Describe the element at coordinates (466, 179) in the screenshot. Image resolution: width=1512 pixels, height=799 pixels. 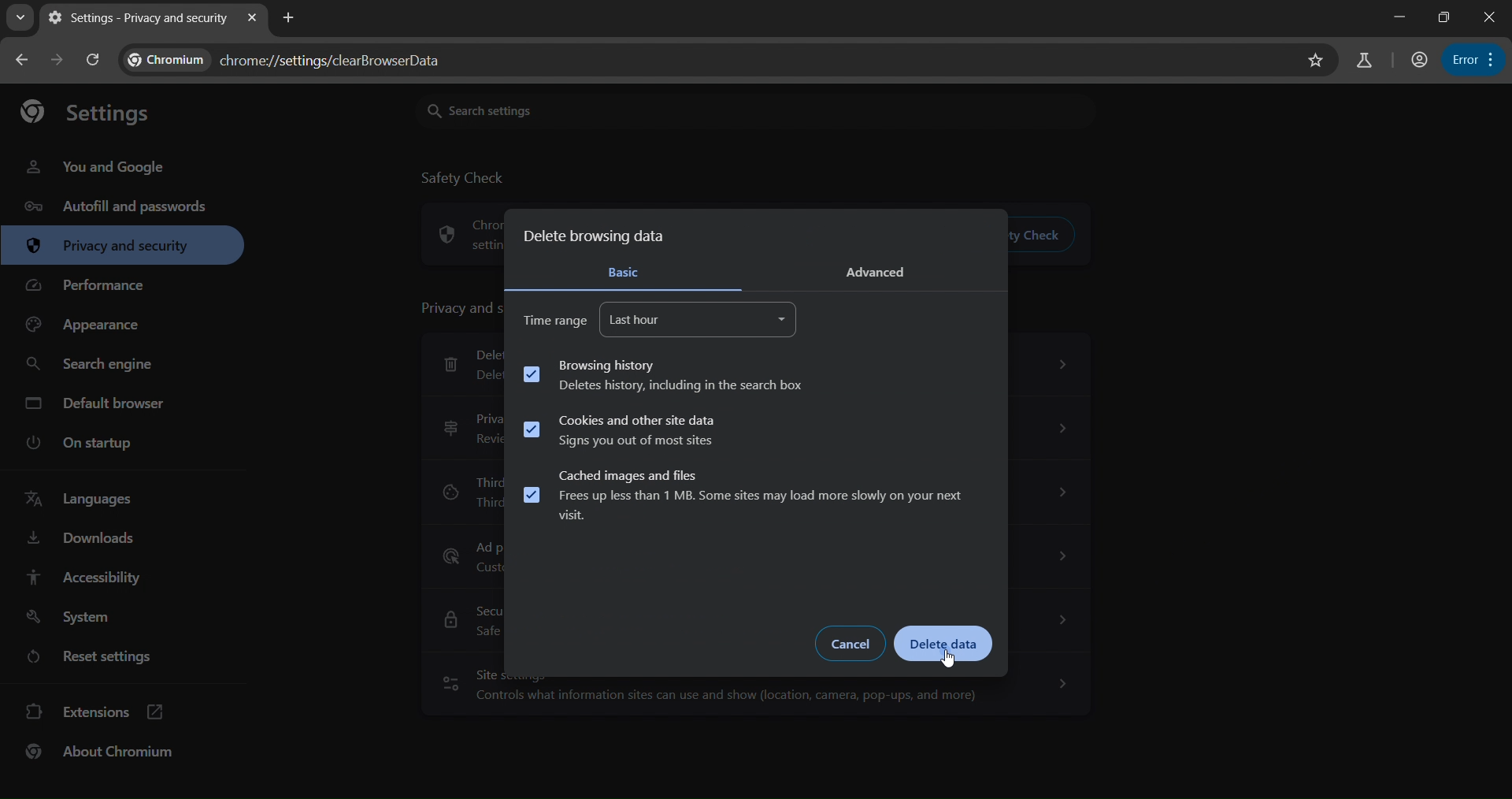
I see `safety check` at that location.